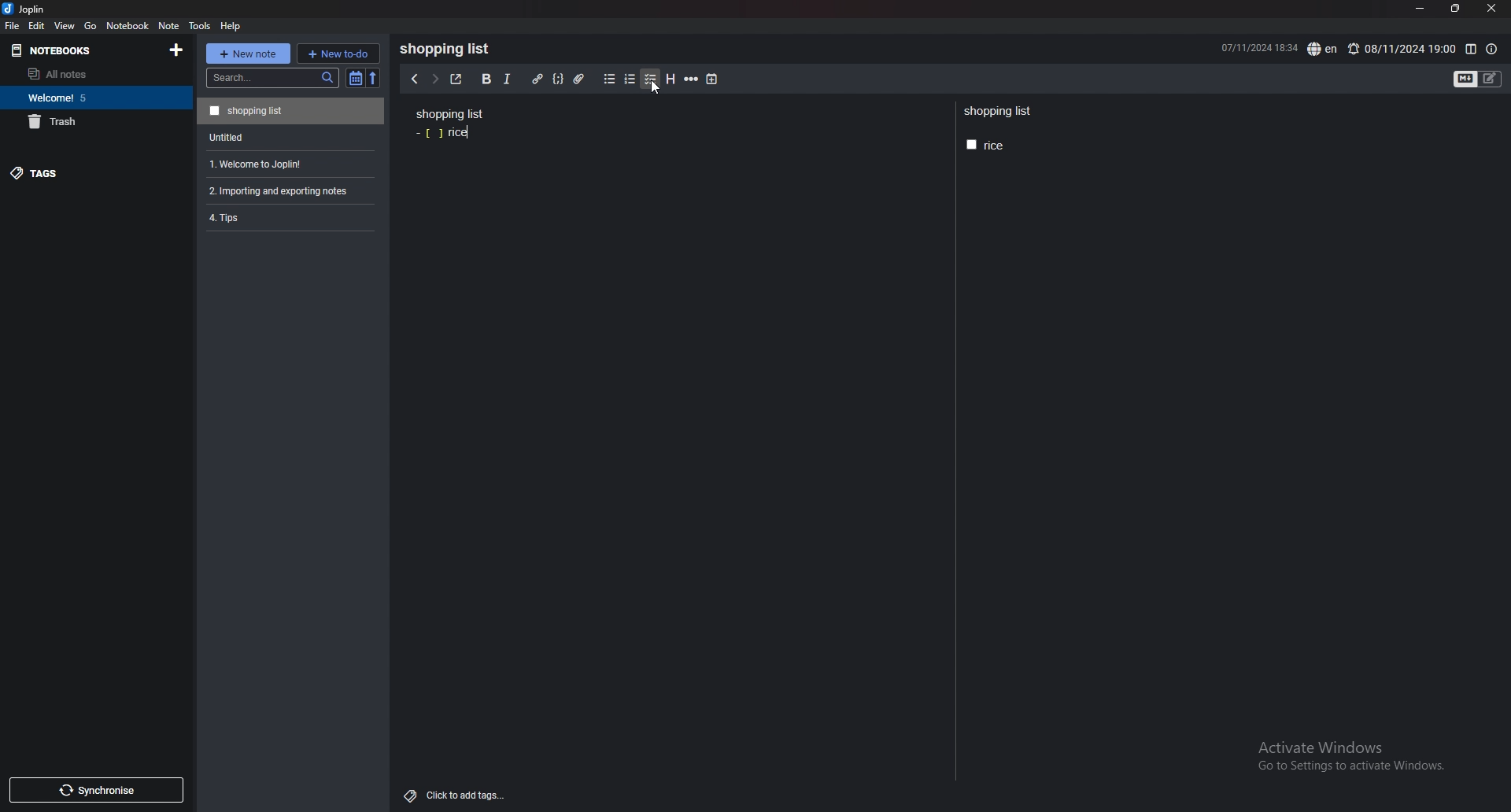  What do you see at coordinates (450, 113) in the screenshot?
I see `Shopping list` at bounding box center [450, 113].